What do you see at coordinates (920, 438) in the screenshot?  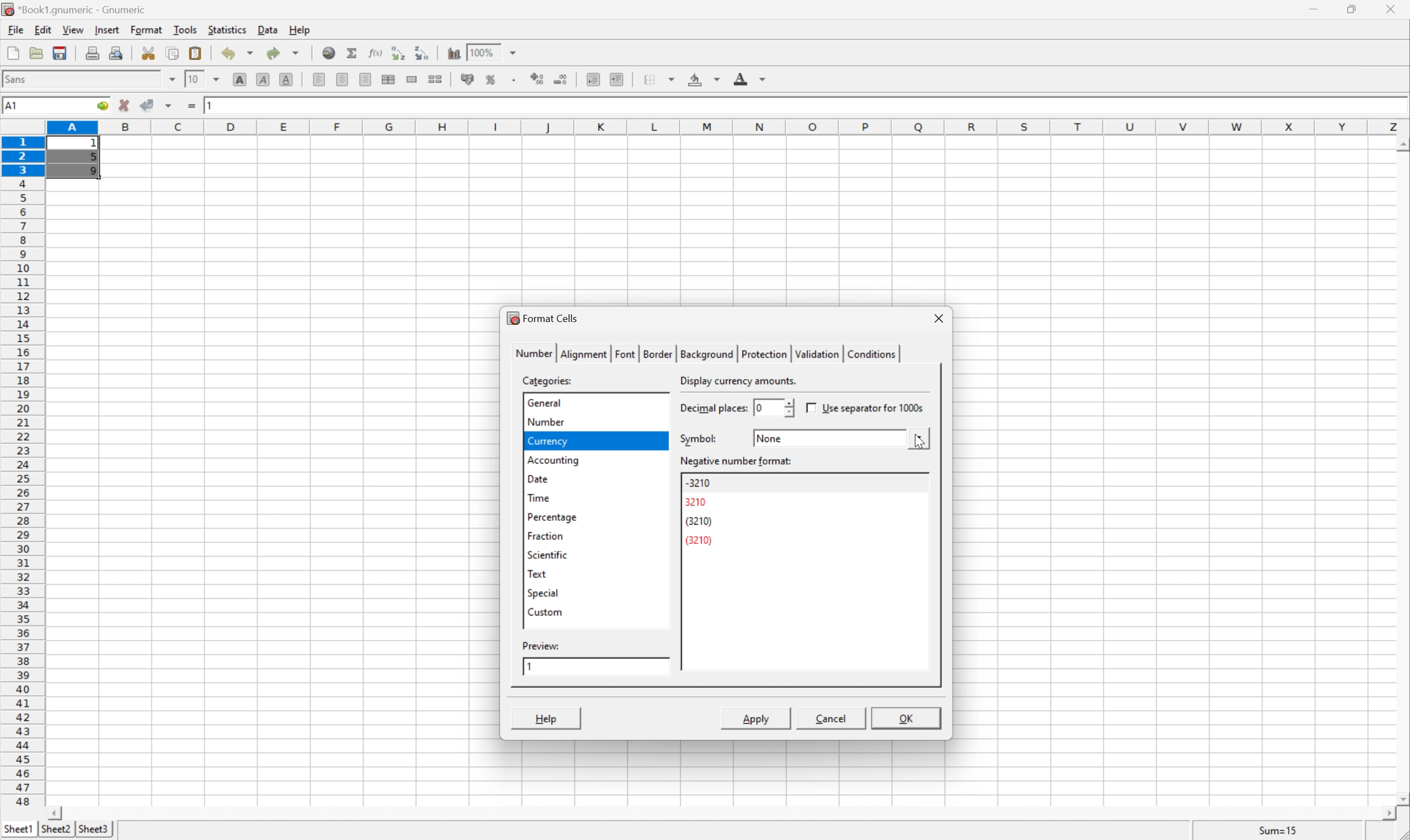 I see `drop down` at bounding box center [920, 438].